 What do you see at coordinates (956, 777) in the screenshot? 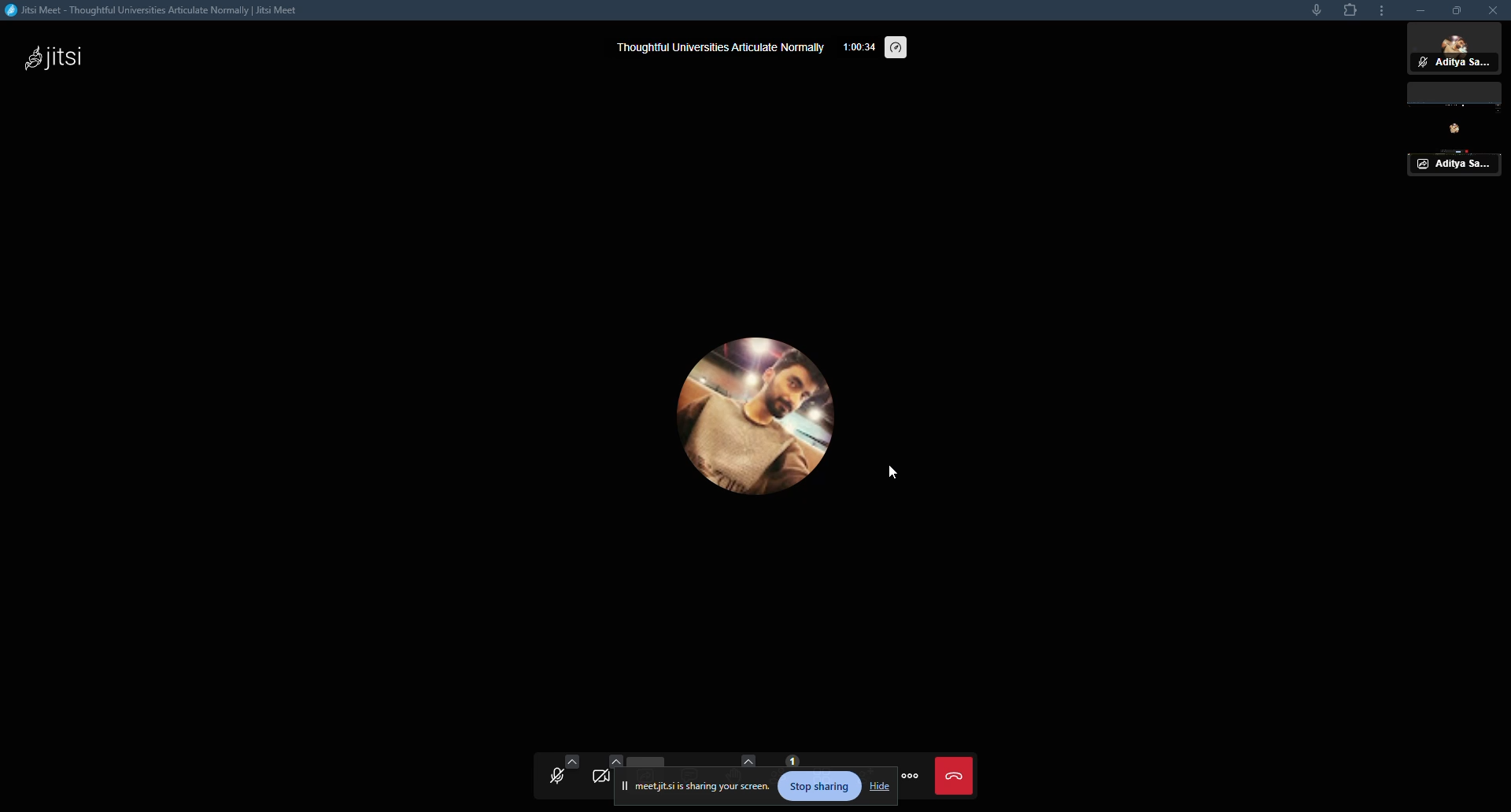
I see `end call` at bounding box center [956, 777].